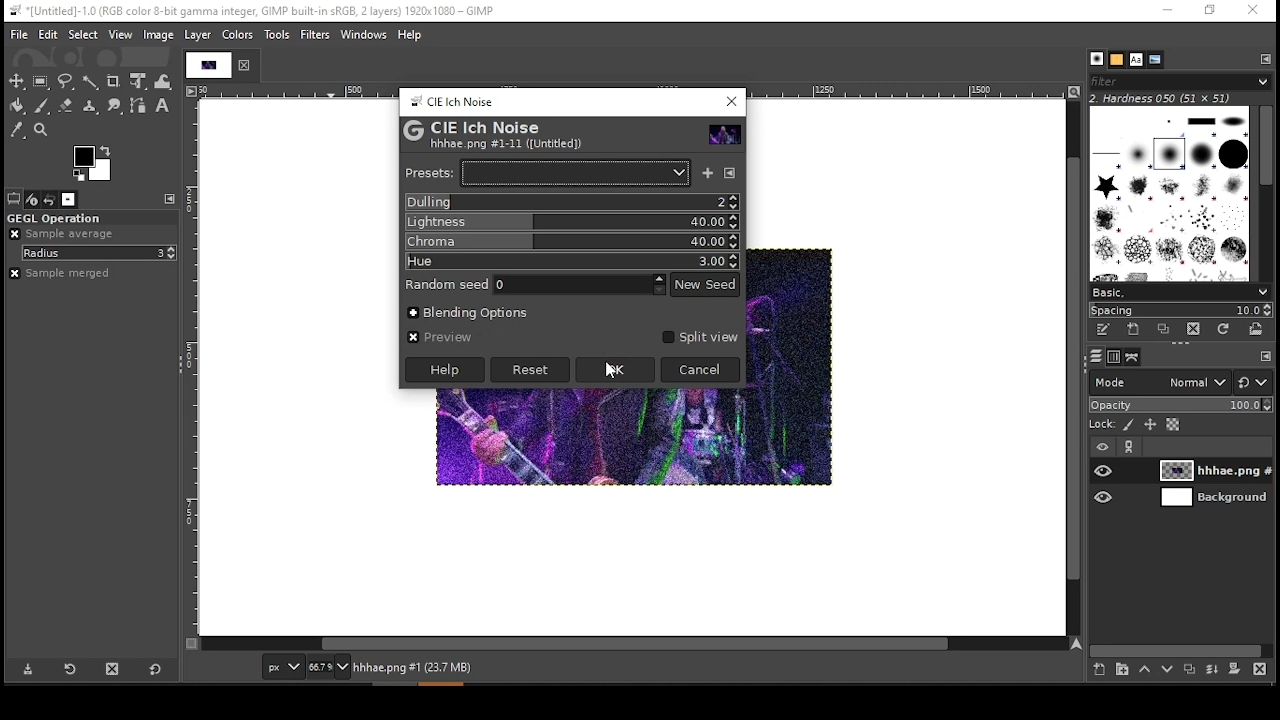 This screenshot has height=720, width=1280. I want to click on text tool, so click(162, 106).